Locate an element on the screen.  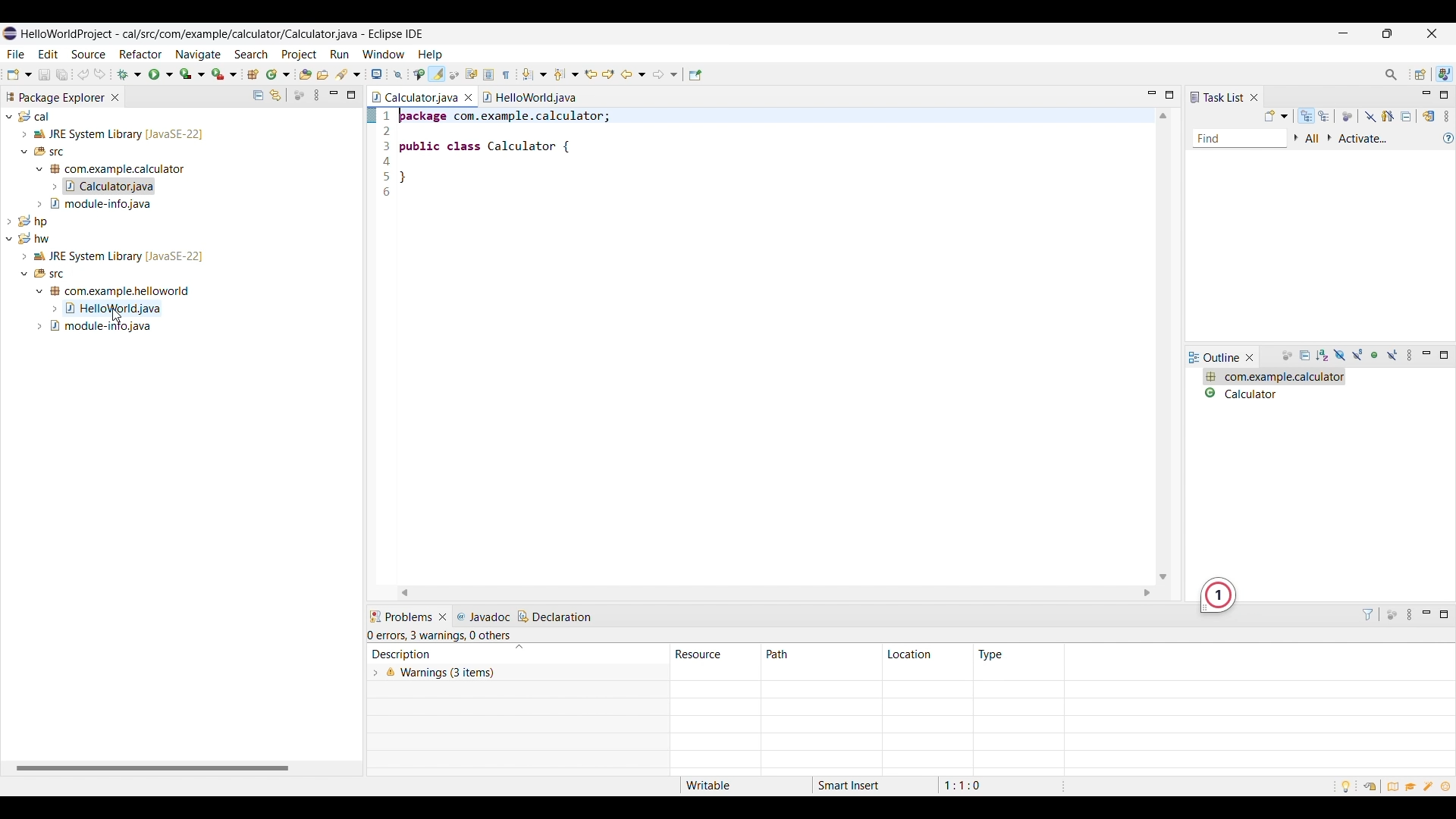
Collapse all is located at coordinates (1306, 356).